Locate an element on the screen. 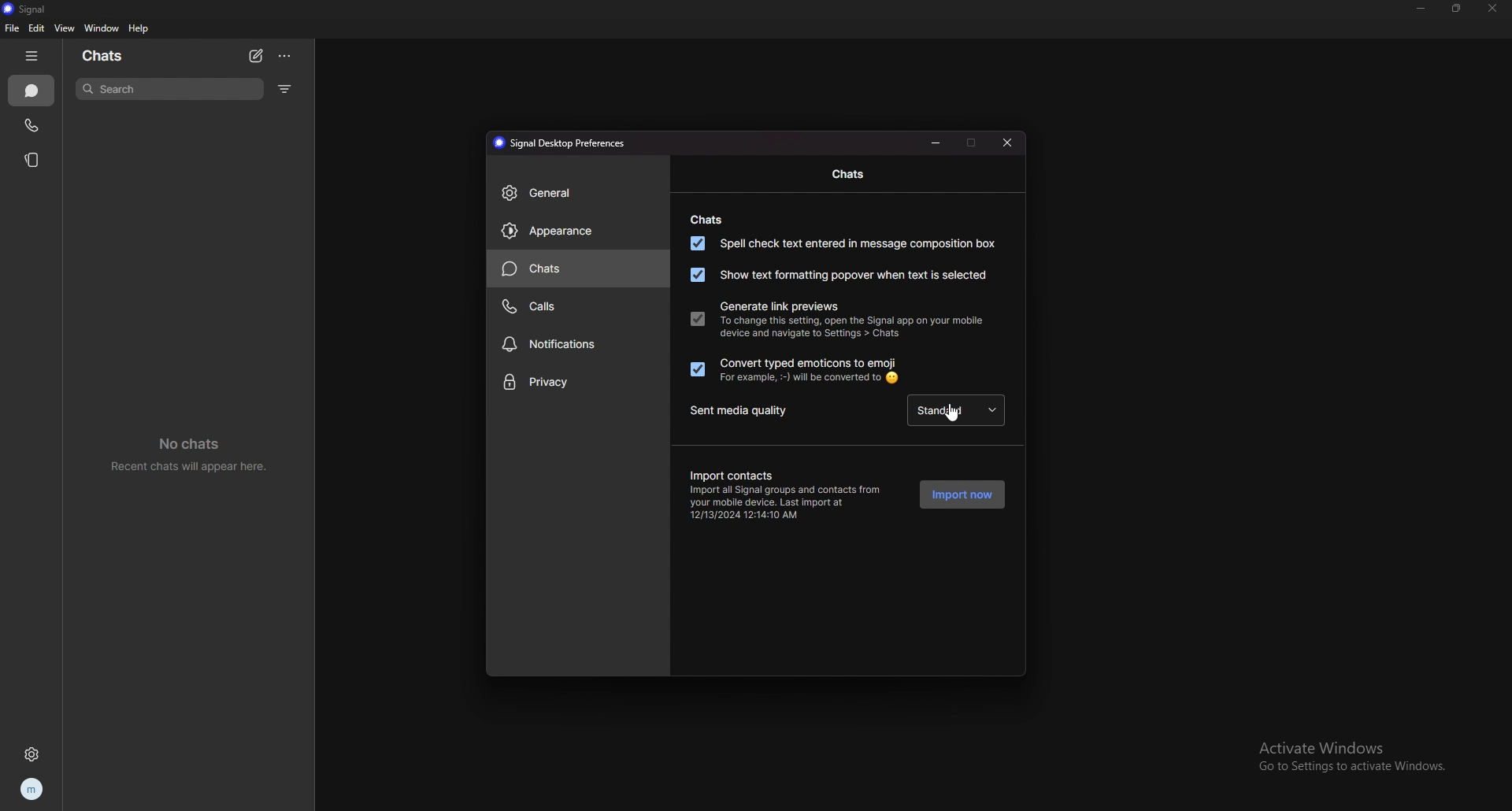 This screenshot has width=1512, height=811. spell check text entered in message composition box is located at coordinates (842, 243).